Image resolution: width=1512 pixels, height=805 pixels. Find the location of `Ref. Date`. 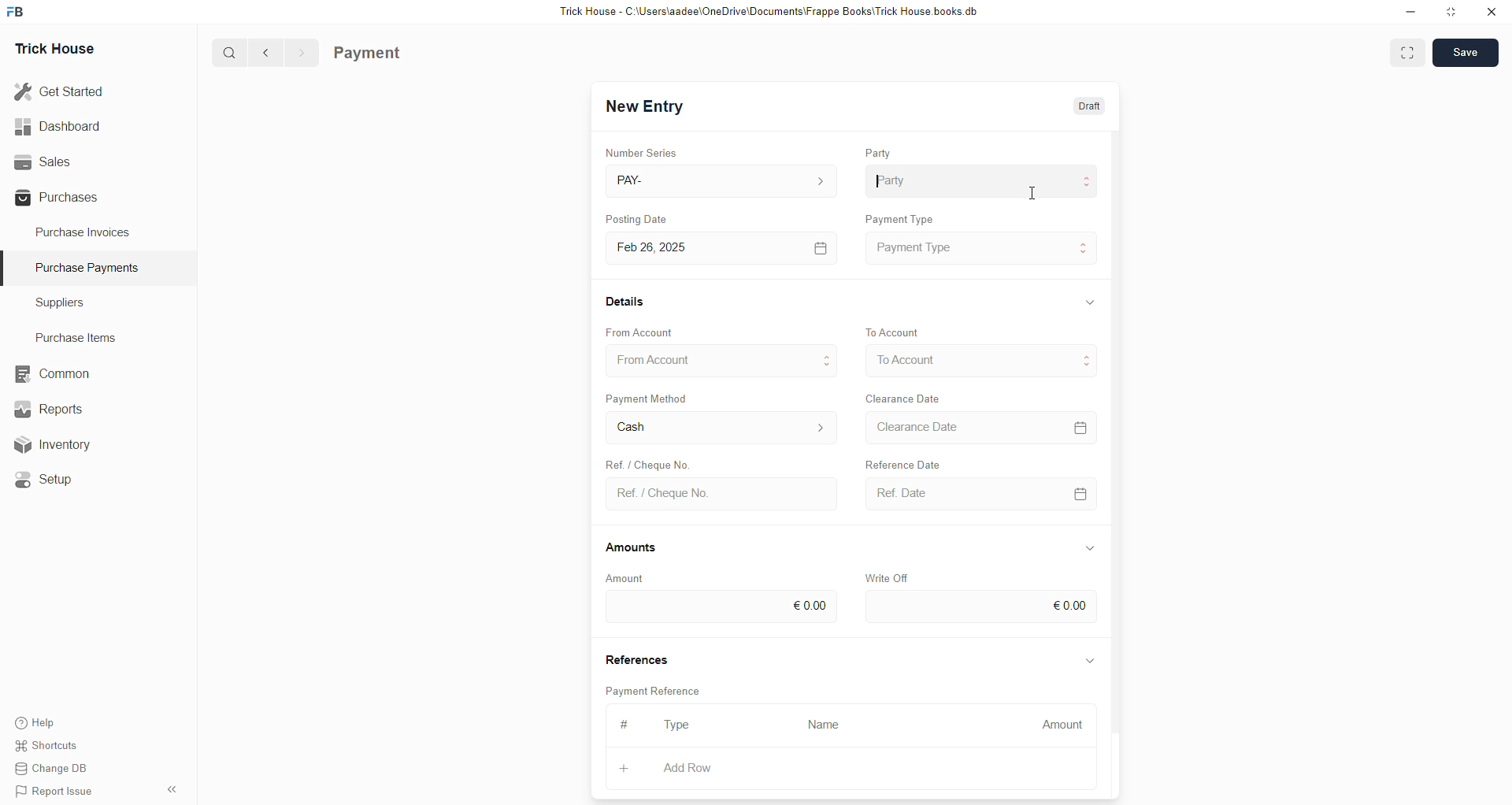

Ref. Date is located at coordinates (976, 493).